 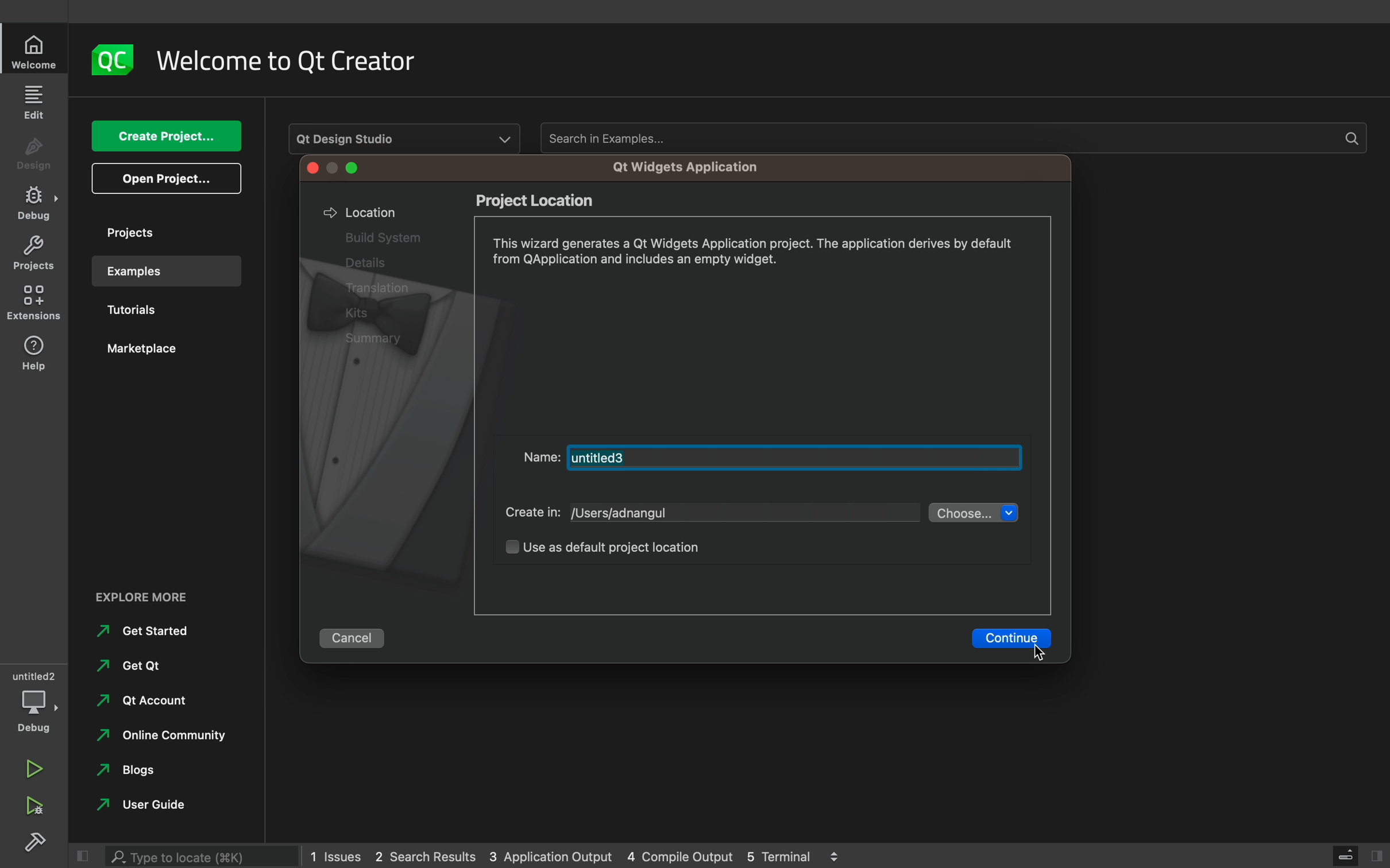 I want to click on checkbox, so click(x=499, y=552).